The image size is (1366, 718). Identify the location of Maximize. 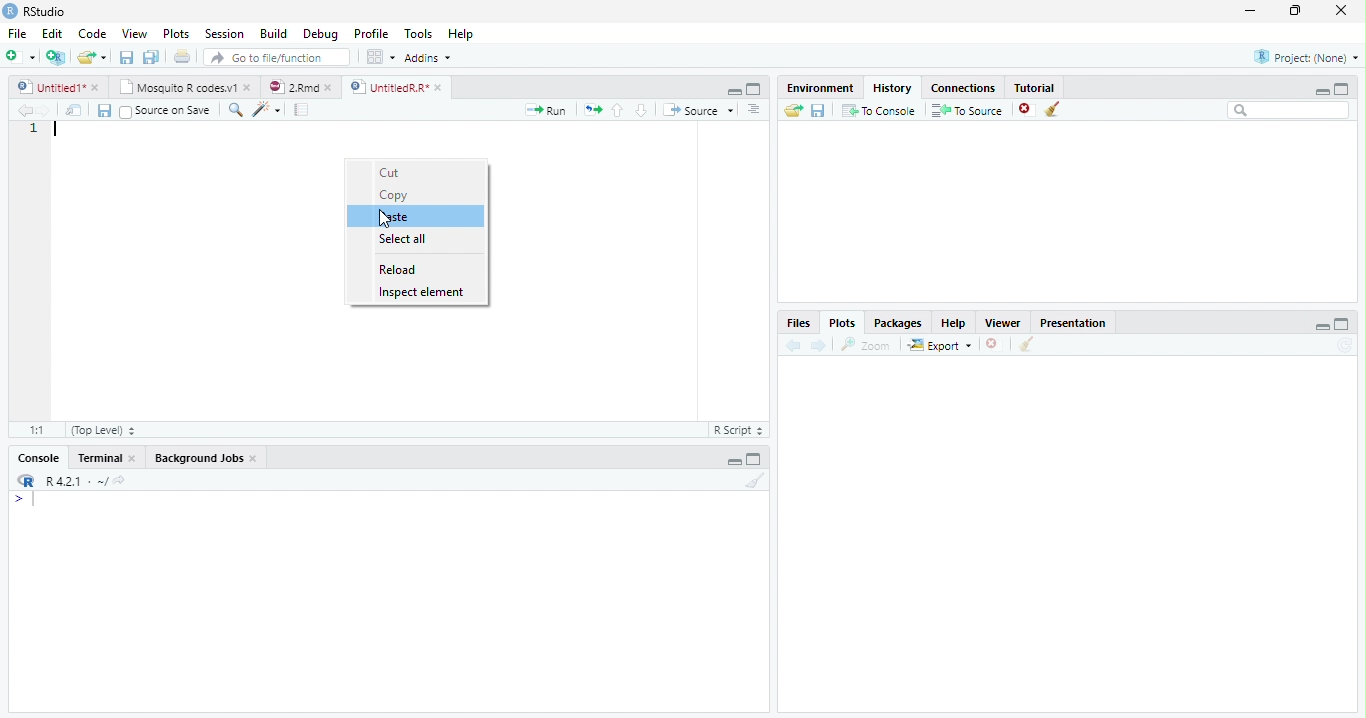
(756, 460).